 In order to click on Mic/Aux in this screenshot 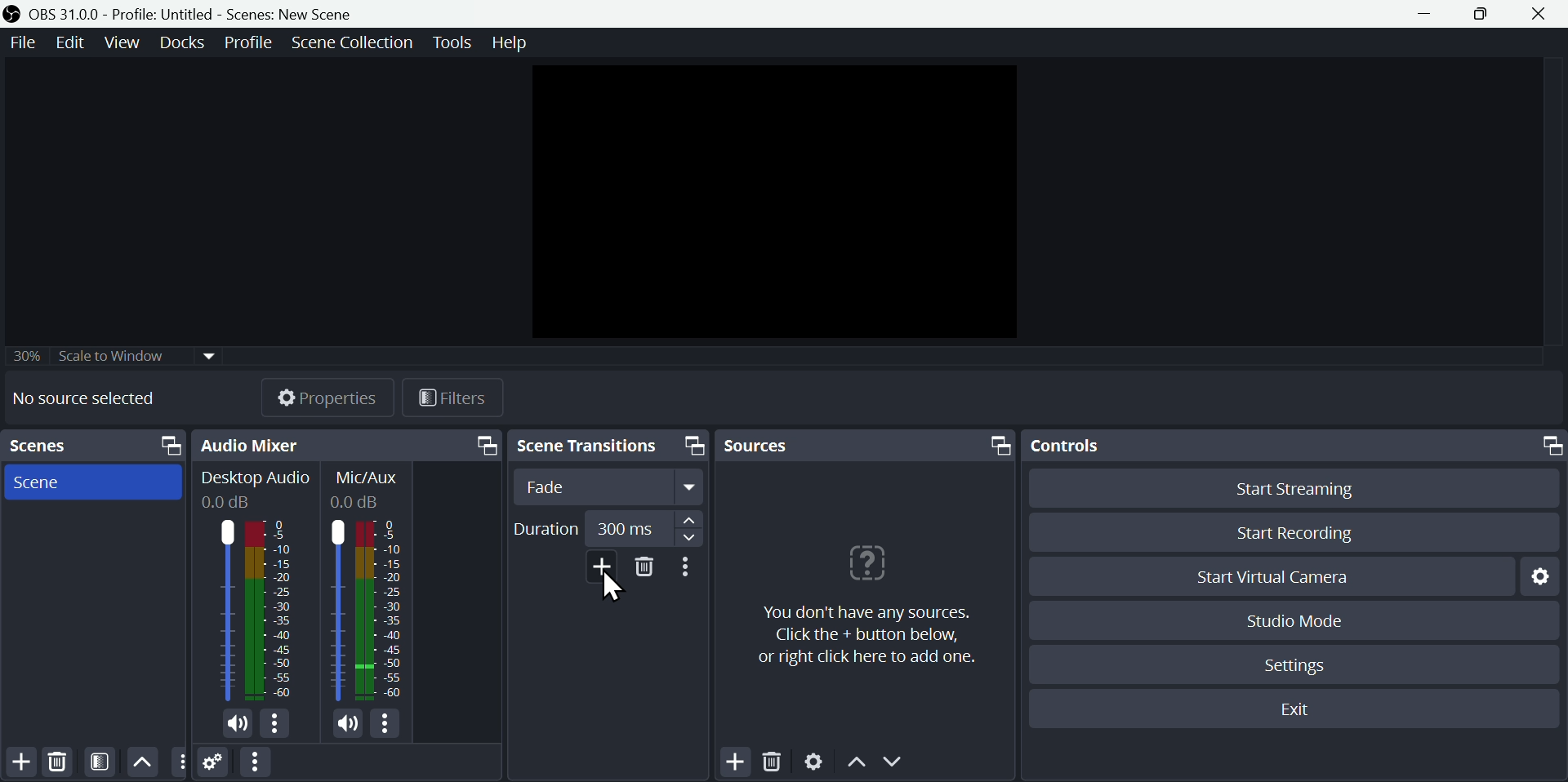, I will do `click(366, 486)`.